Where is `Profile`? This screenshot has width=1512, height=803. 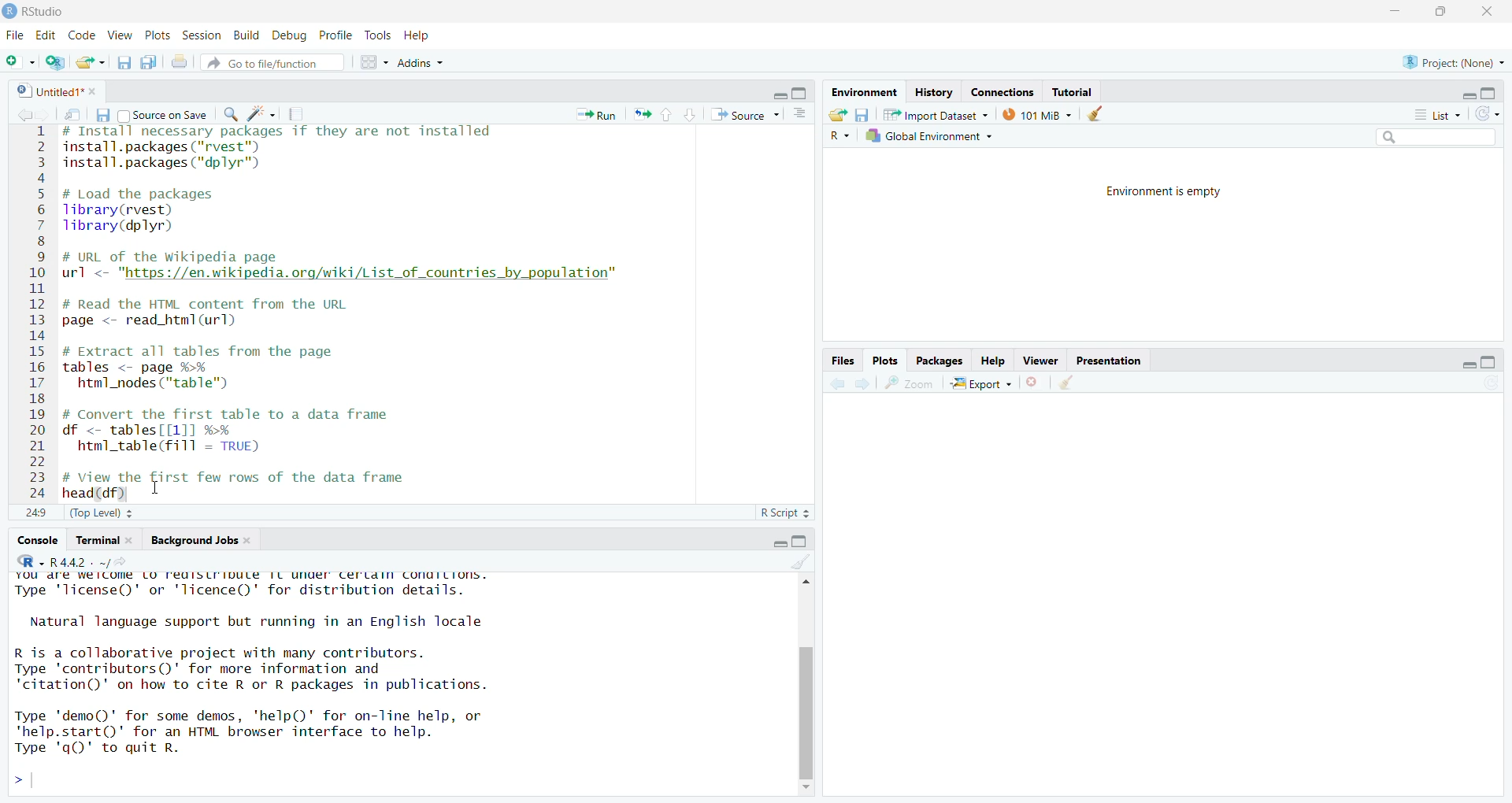 Profile is located at coordinates (337, 35).